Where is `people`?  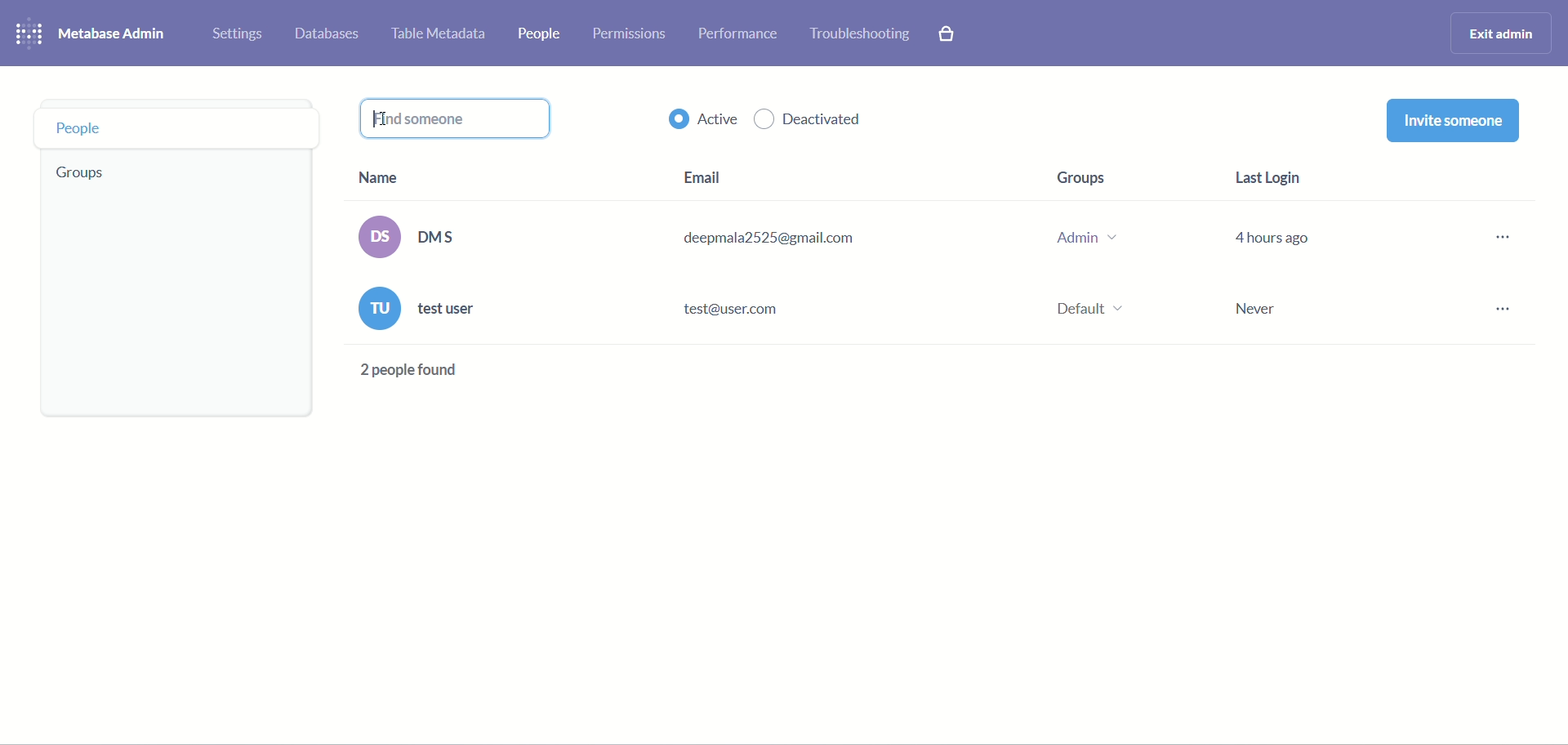
people is located at coordinates (540, 33).